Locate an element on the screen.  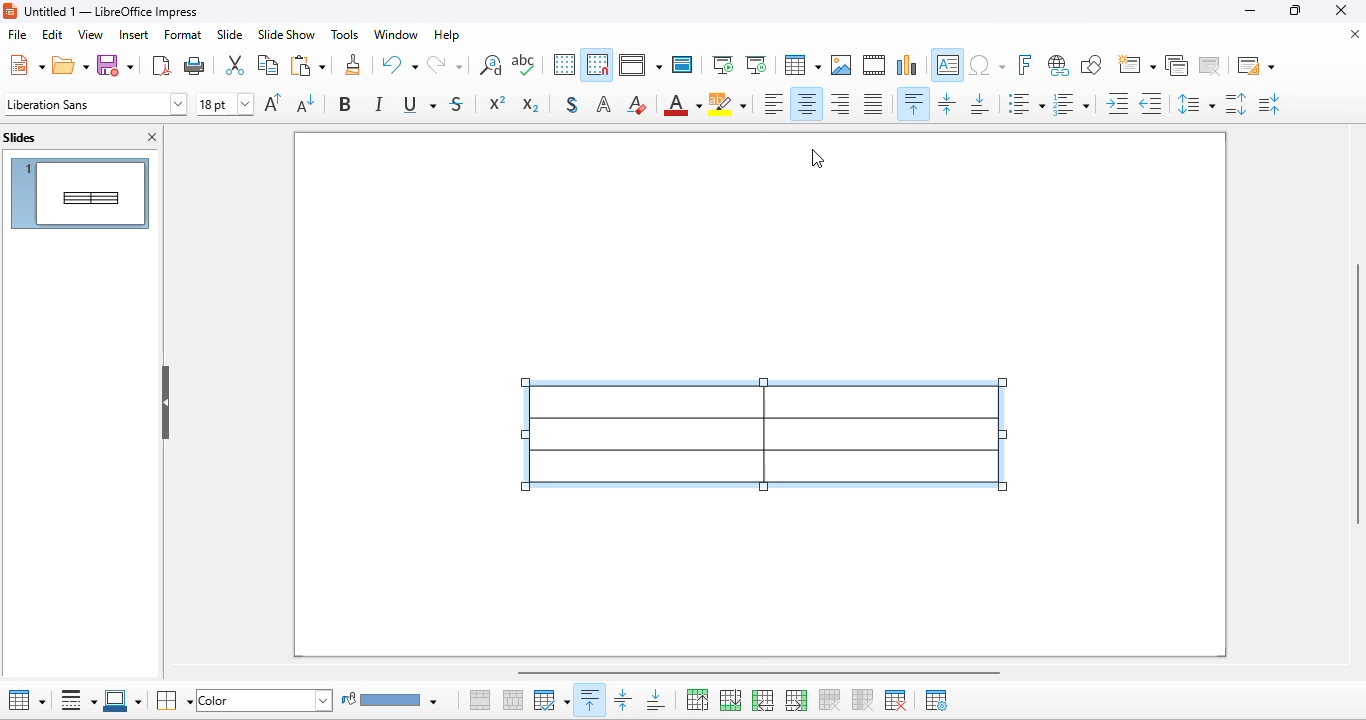
character highlighting color is located at coordinates (728, 104).